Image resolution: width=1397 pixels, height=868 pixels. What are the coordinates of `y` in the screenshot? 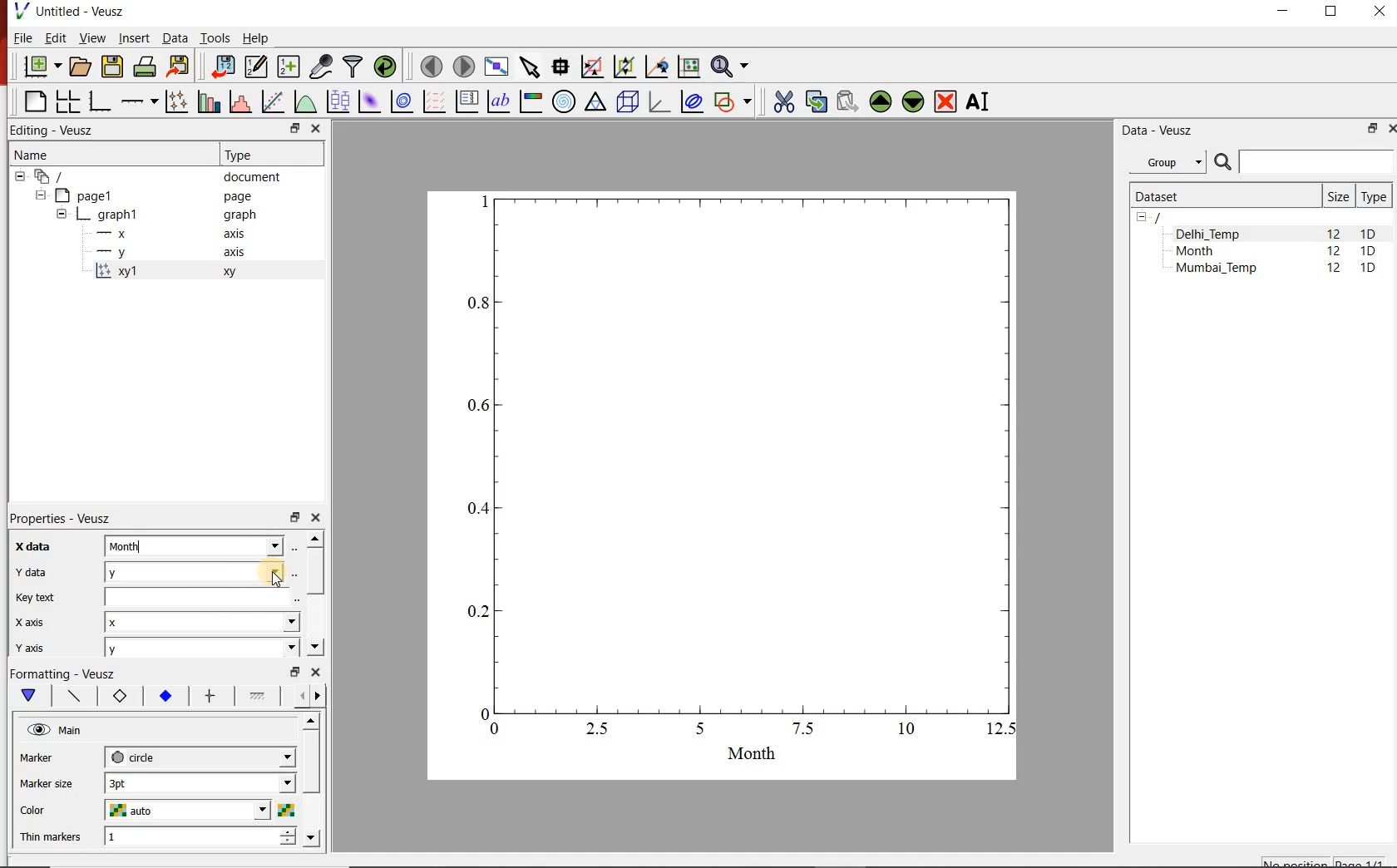 It's located at (201, 649).